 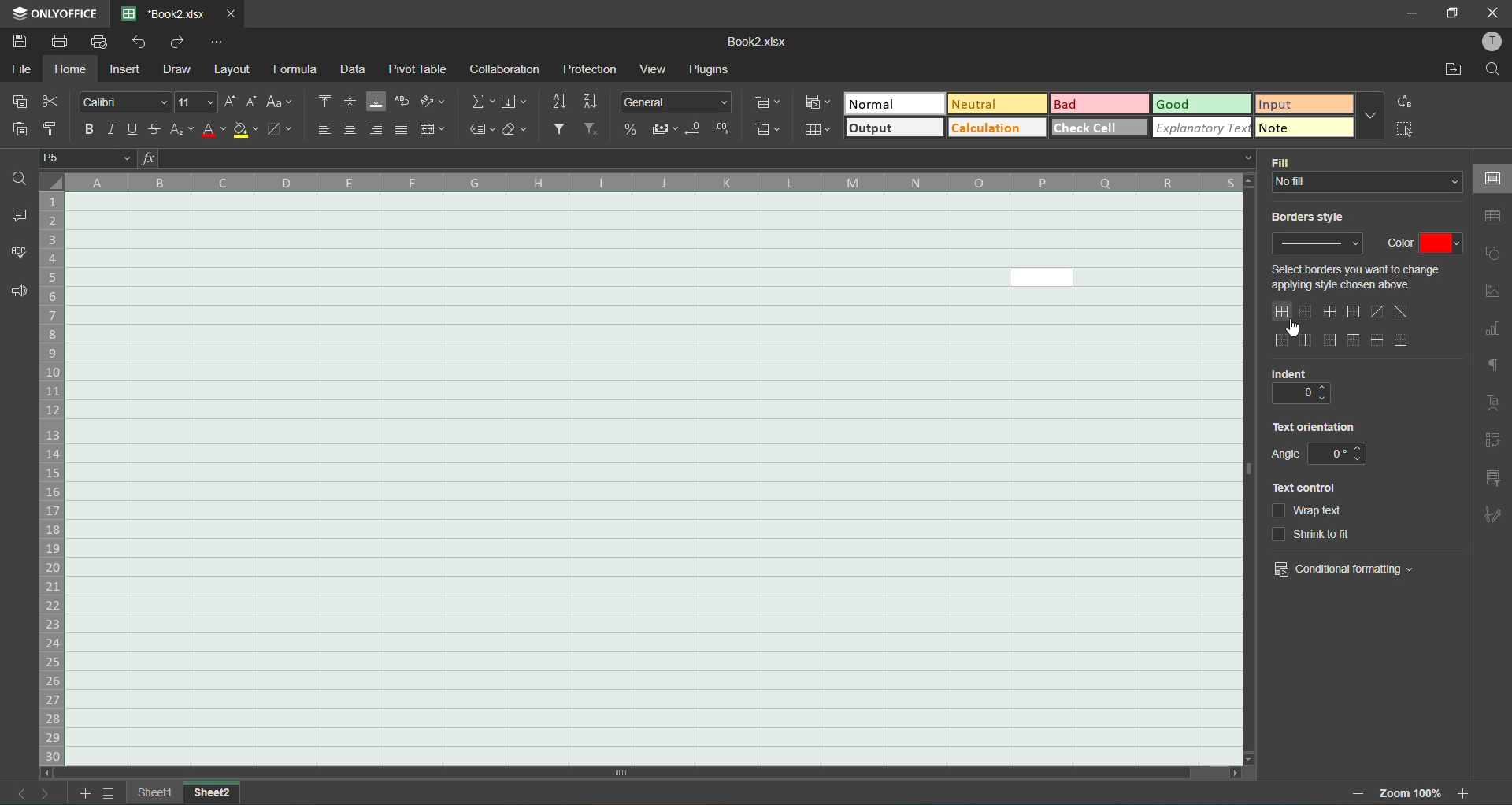 What do you see at coordinates (148, 157) in the screenshot?
I see `fx` at bounding box center [148, 157].